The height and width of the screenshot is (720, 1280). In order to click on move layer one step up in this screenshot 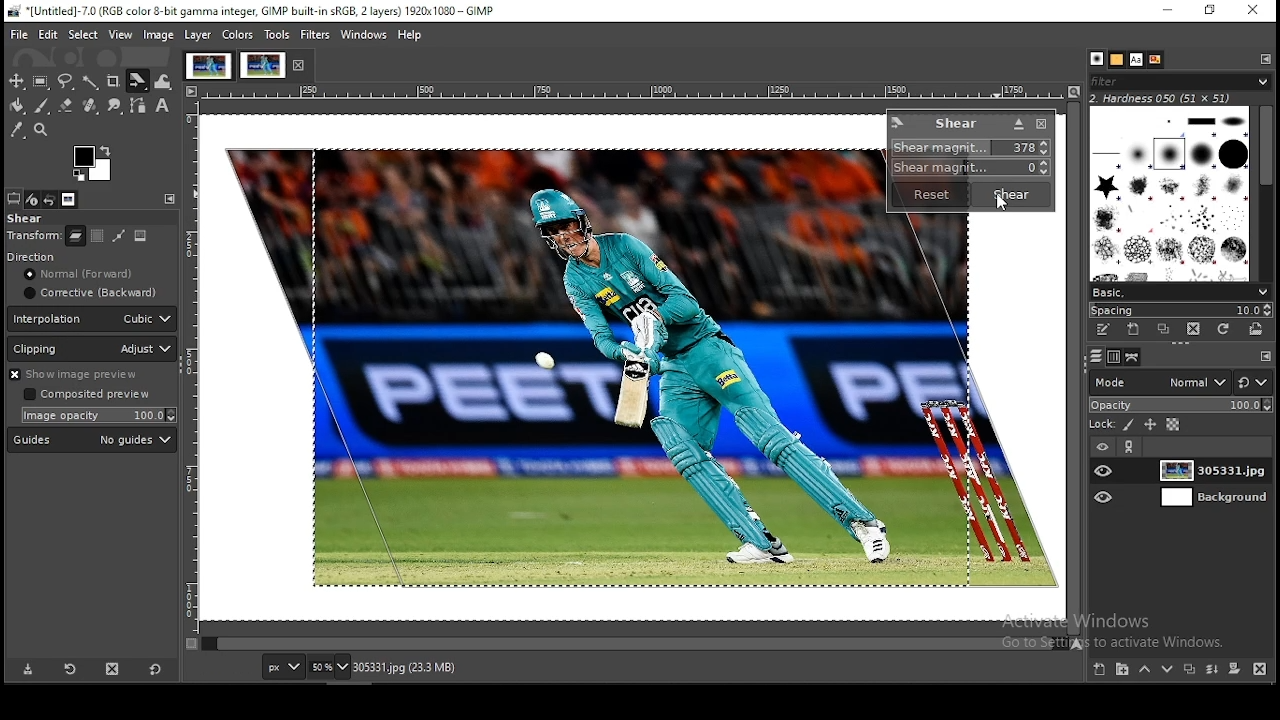, I will do `click(1143, 669)`.